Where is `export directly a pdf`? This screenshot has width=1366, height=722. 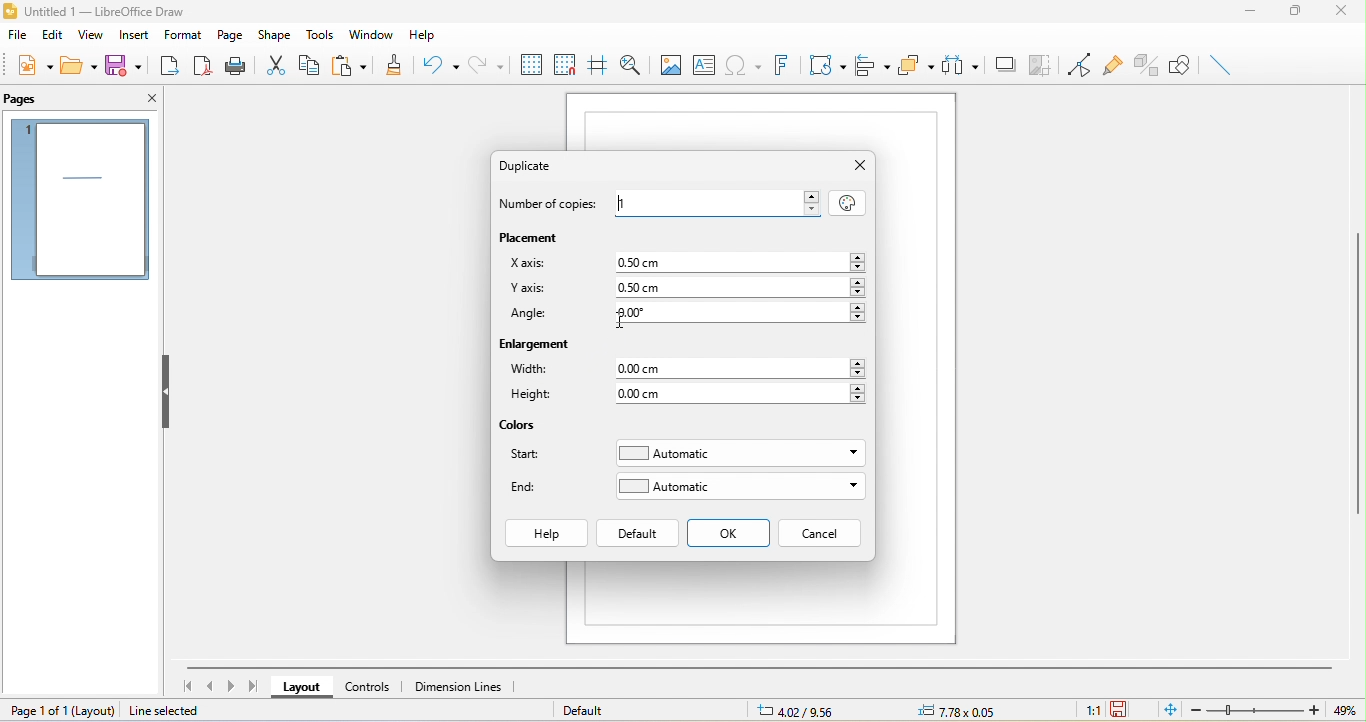
export directly a pdf is located at coordinates (203, 68).